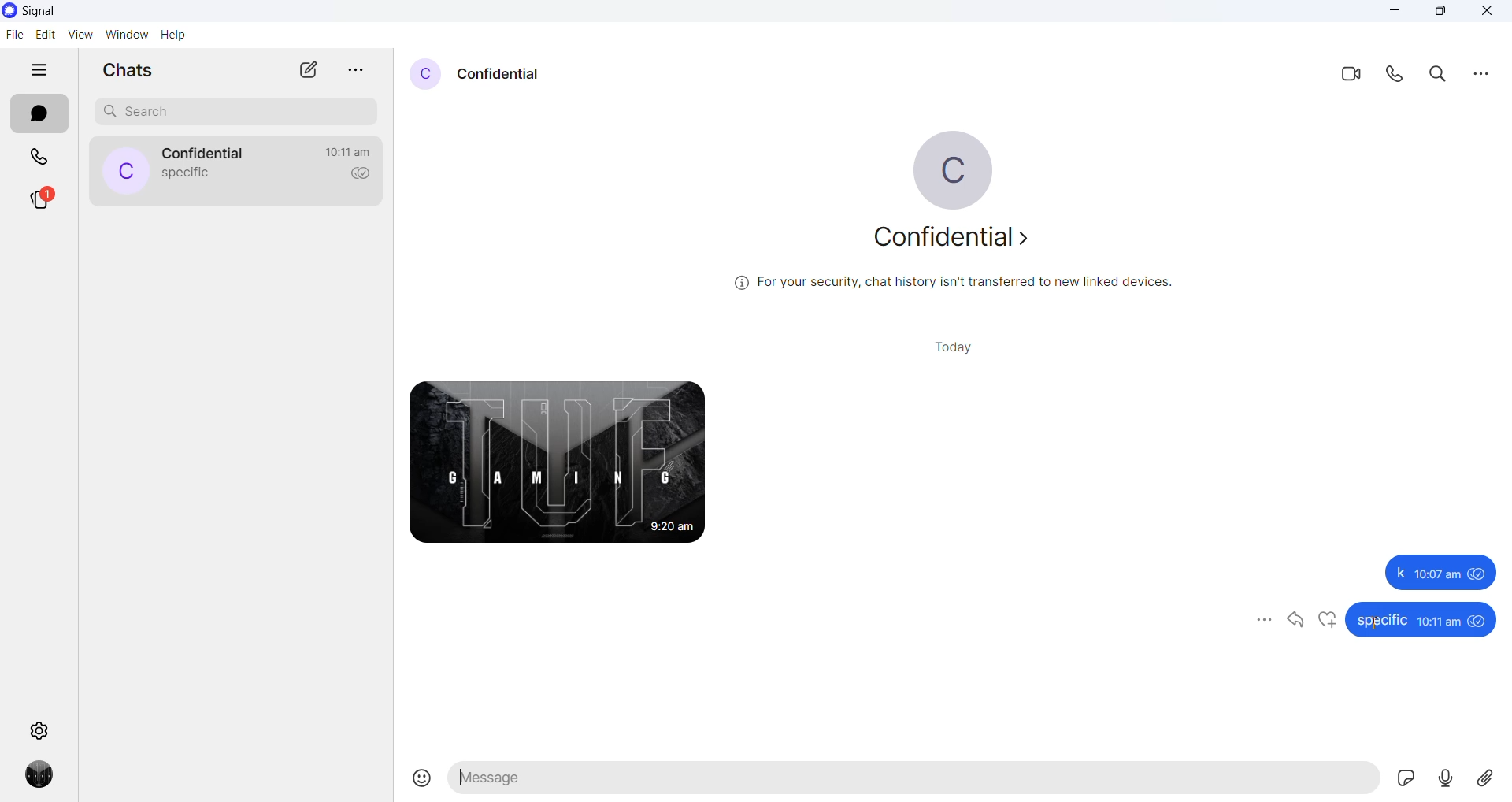 The height and width of the screenshot is (802, 1512). What do you see at coordinates (1481, 76) in the screenshot?
I see `more options` at bounding box center [1481, 76].